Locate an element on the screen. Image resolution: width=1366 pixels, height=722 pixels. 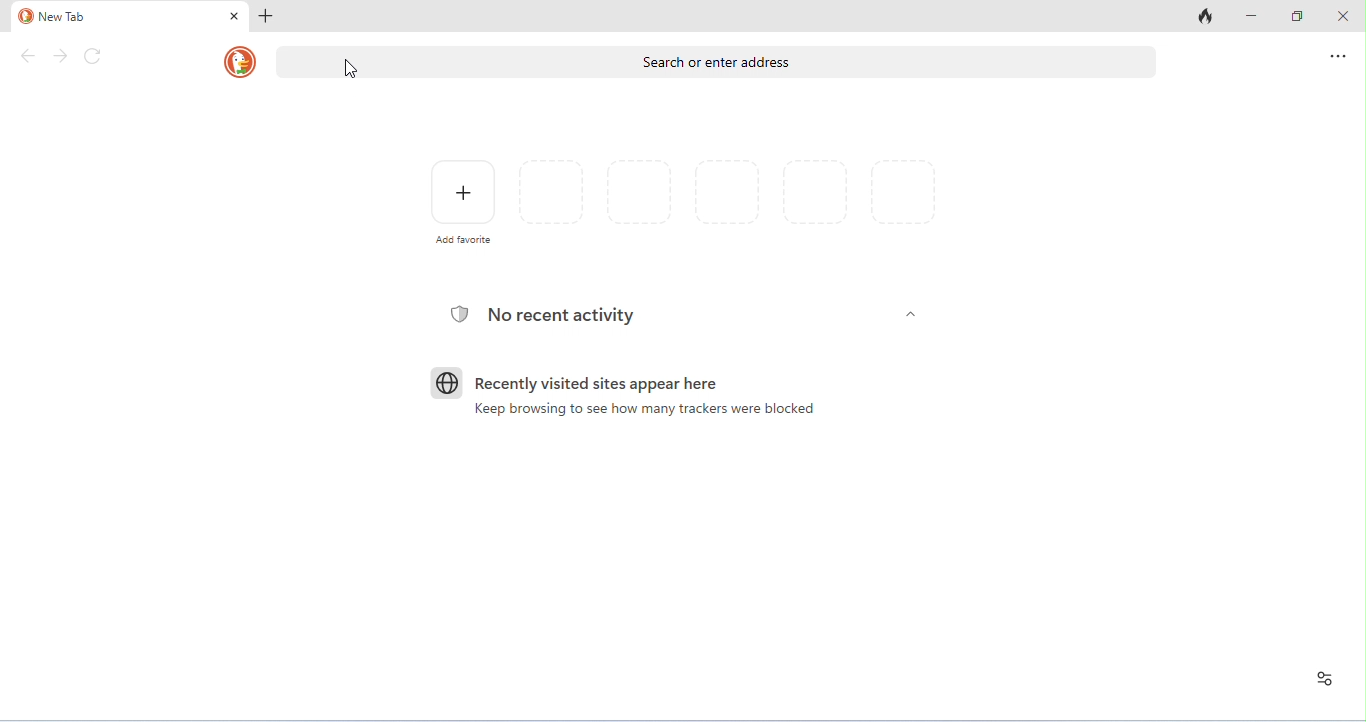
minimize is located at coordinates (1252, 15).